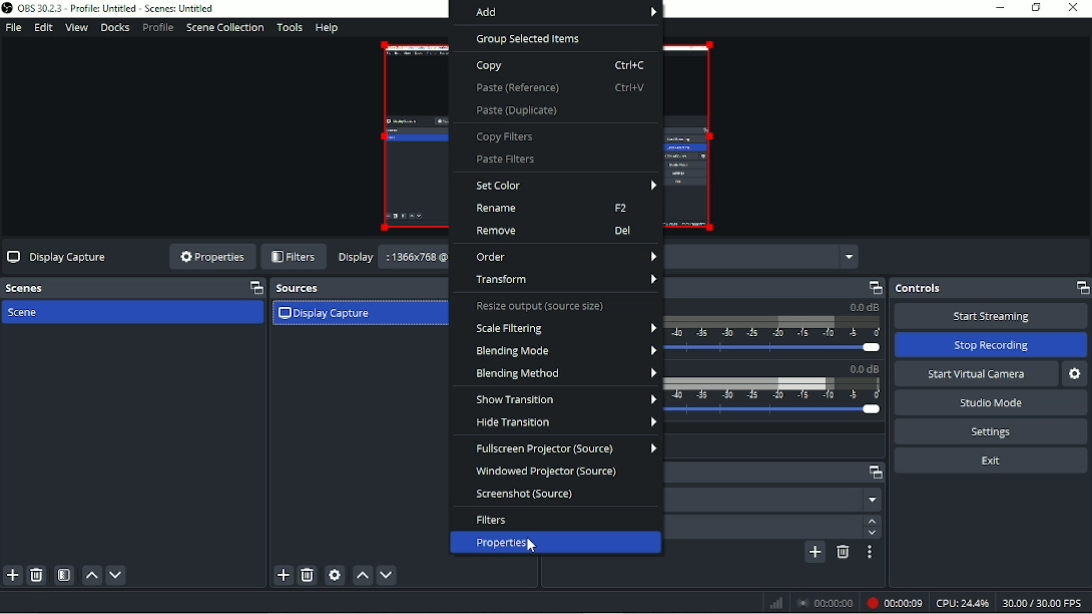 The height and width of the screenshot is (614, 1092). Describe the element at coordinates (991, 345) in the screenshot. I see `Stop recording` at that location.